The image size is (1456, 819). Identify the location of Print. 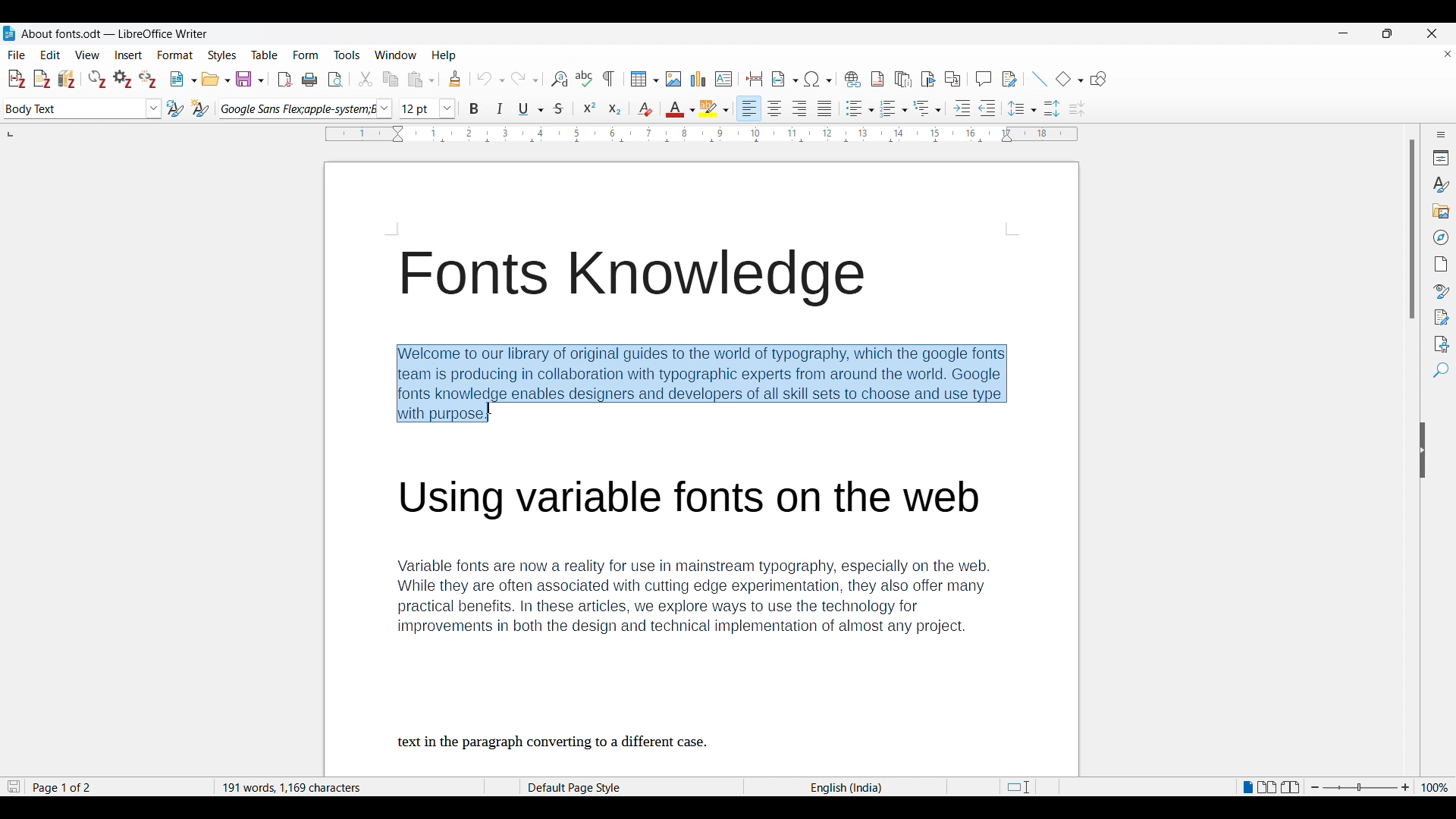
(309, 80).